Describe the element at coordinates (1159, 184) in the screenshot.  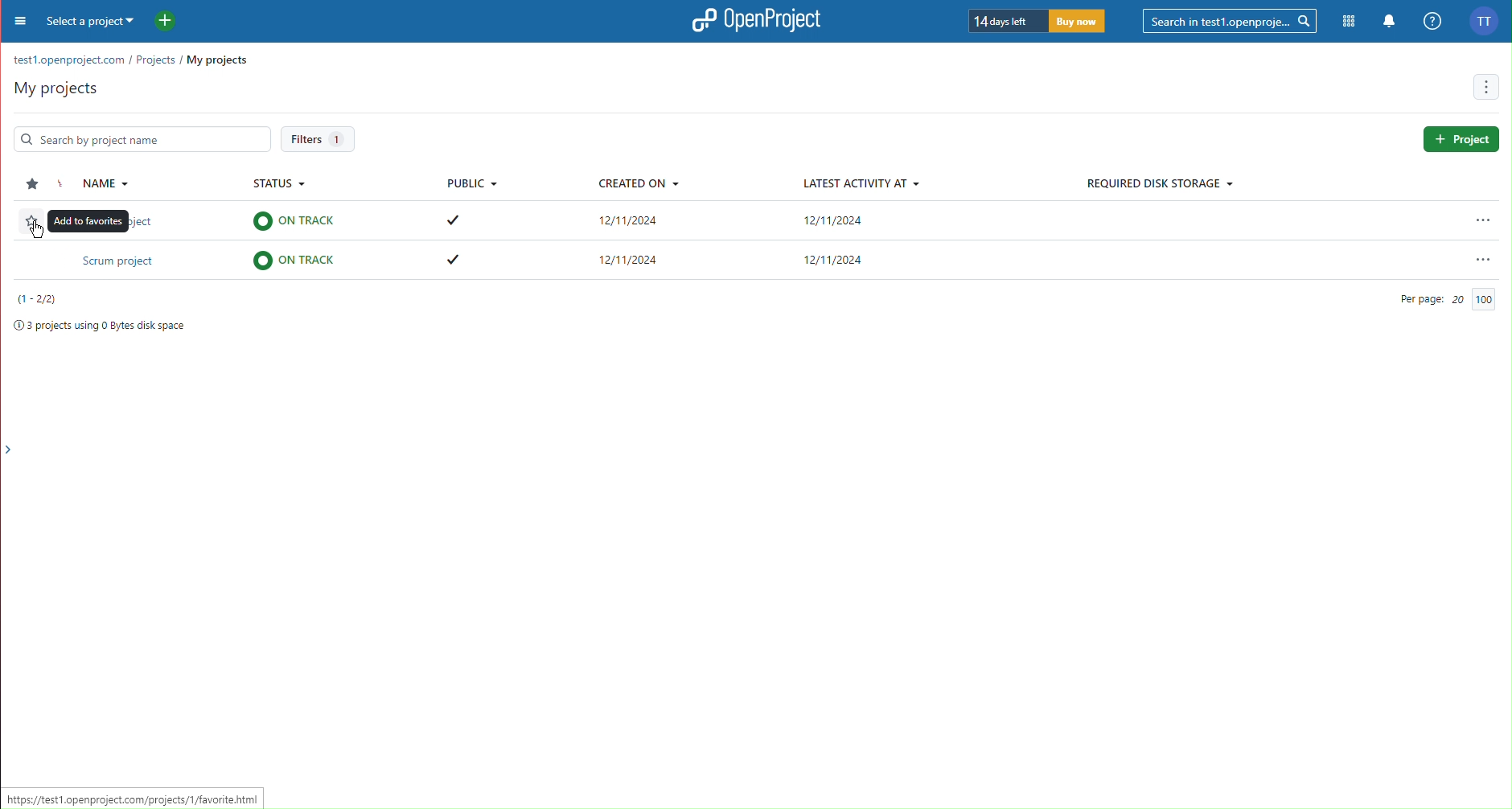
I see `Reduced Disk Storage` at that location.